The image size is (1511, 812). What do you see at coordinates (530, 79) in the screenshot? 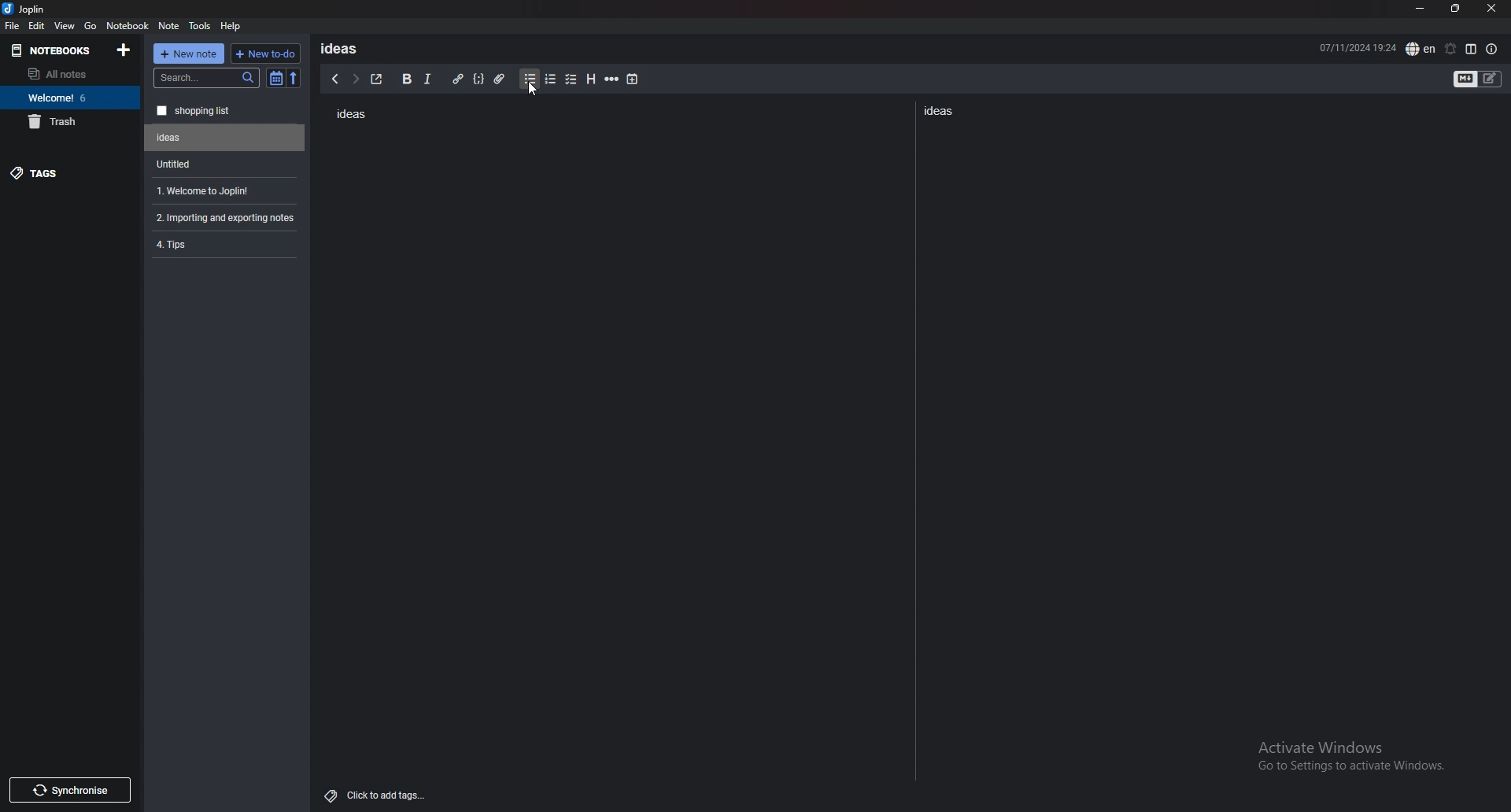
I see `bullet list` at bounding box center [530, 79].